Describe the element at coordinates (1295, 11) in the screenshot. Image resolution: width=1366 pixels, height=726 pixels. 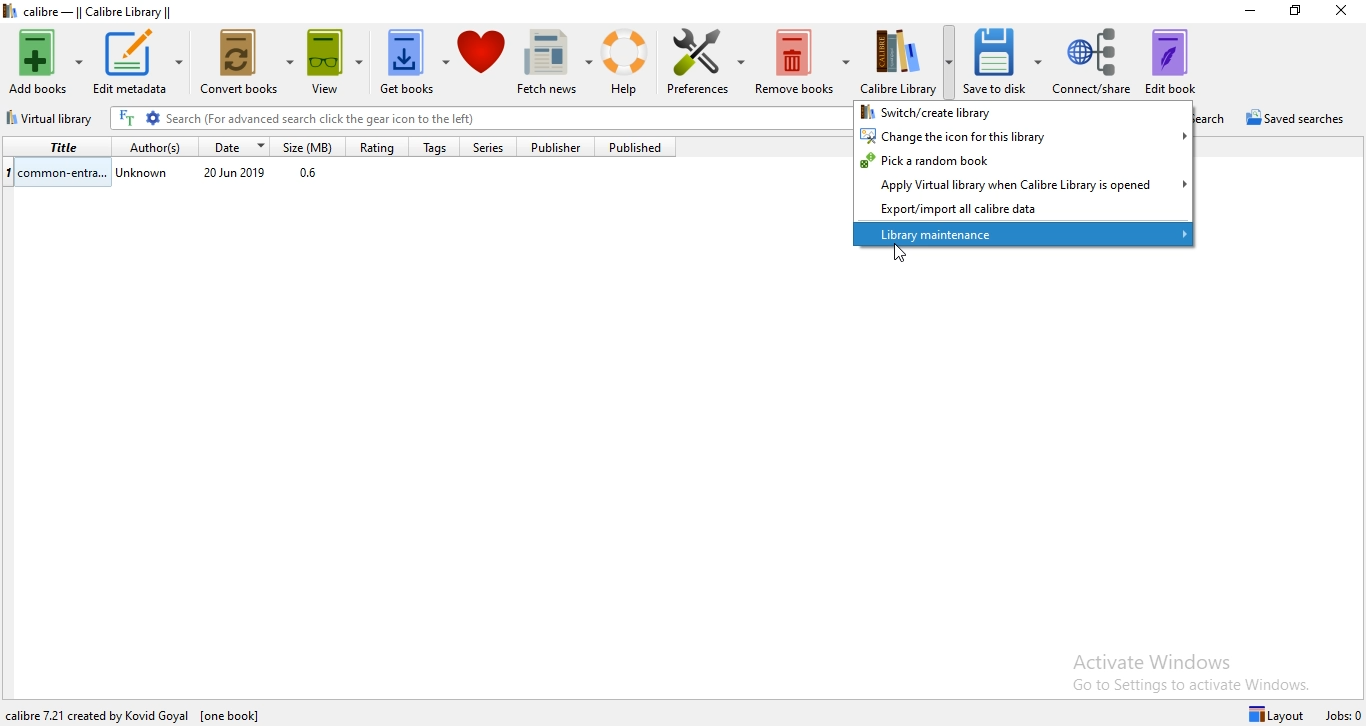
I see `Restore` at that location.